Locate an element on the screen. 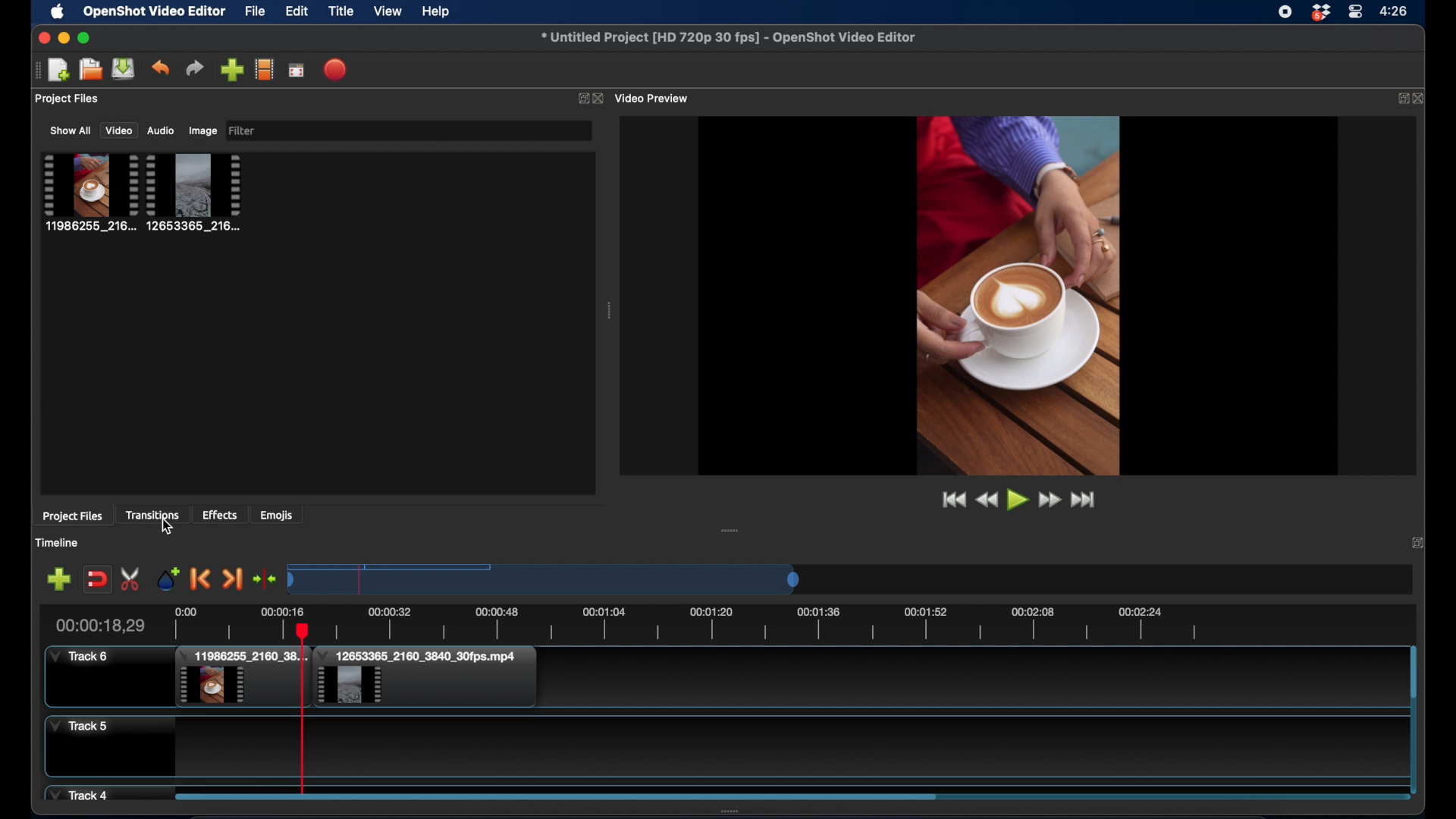 The height and width of the screenshot is (819, 1456). close is located at coordinates (41, 37).